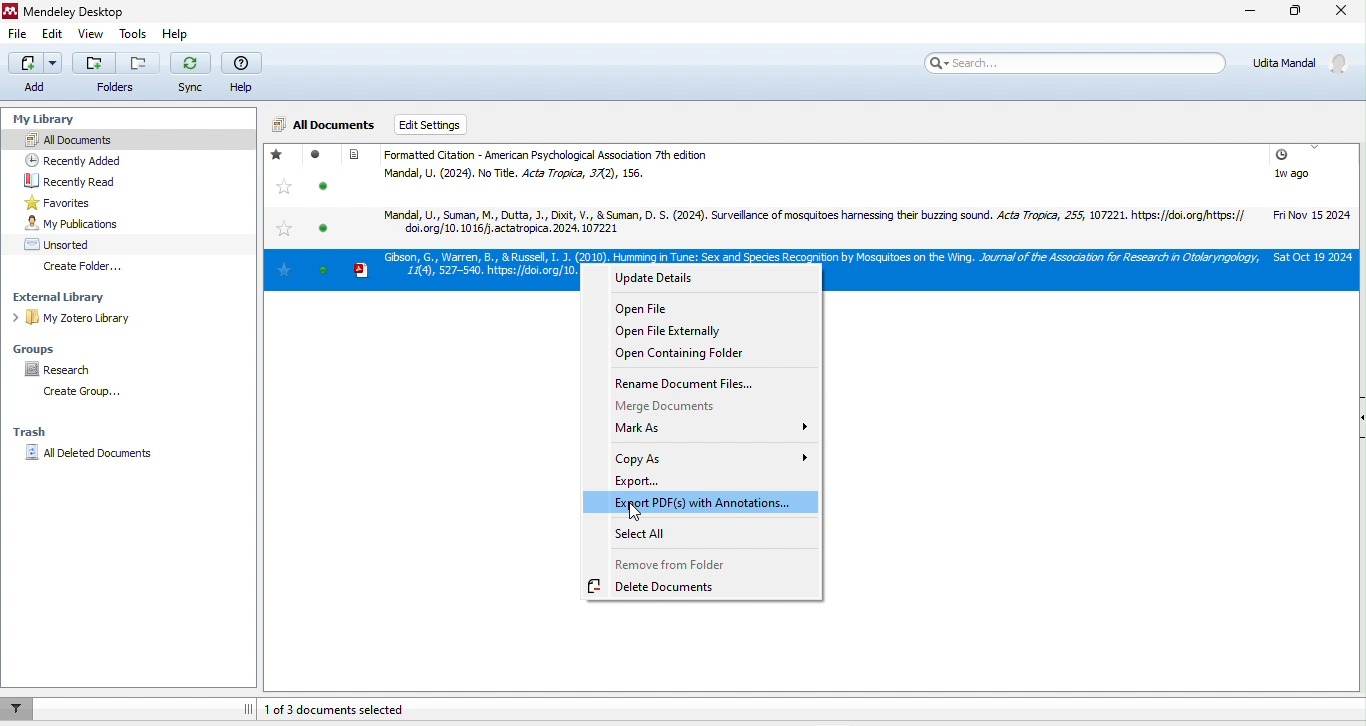  What do you see at coordinates (65, 297) in the screenshot?
I see `external library` at bounding box center [65, 297].